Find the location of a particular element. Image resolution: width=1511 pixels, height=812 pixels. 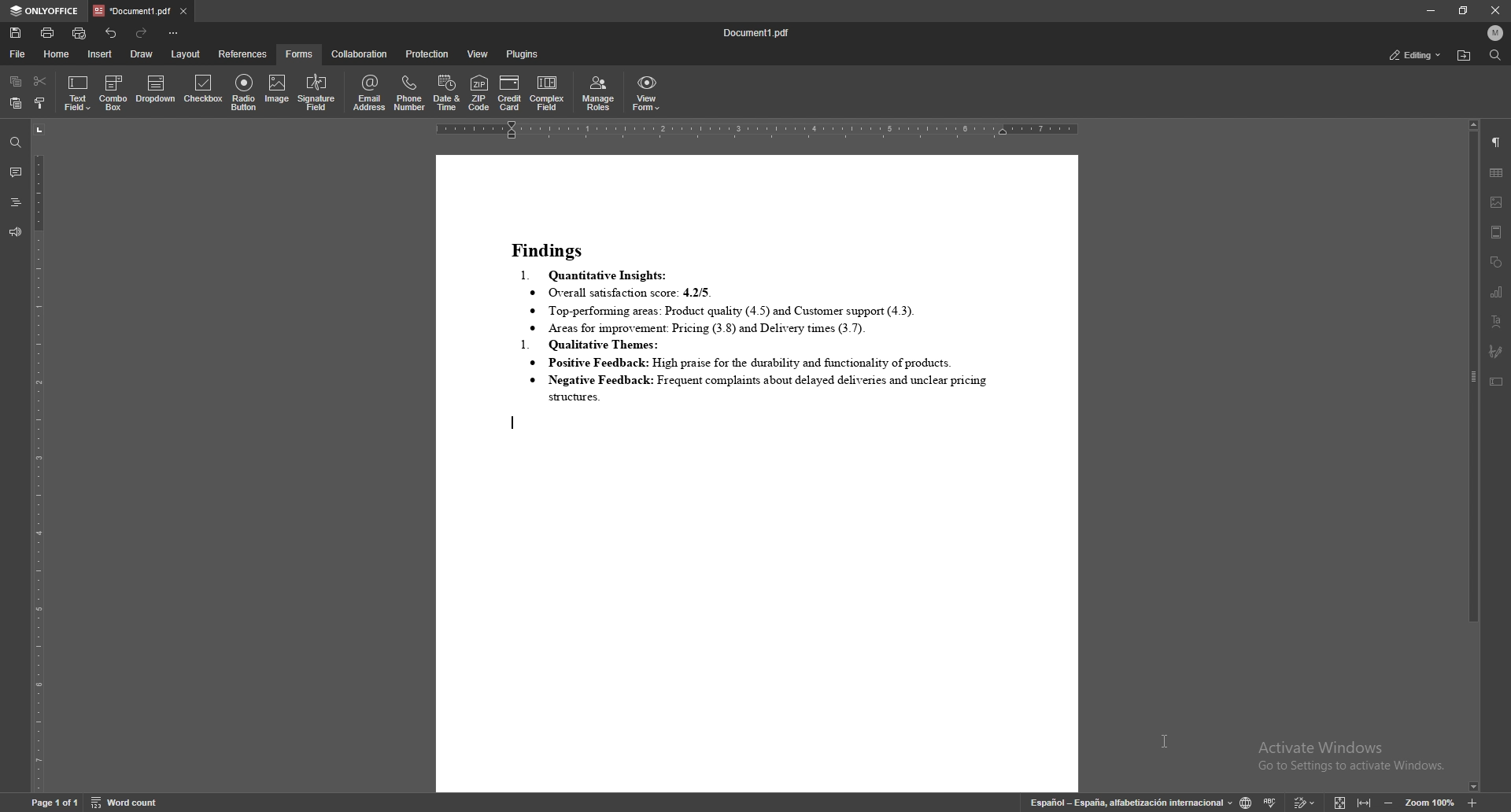

credit card is located at coordinates (511, 92).